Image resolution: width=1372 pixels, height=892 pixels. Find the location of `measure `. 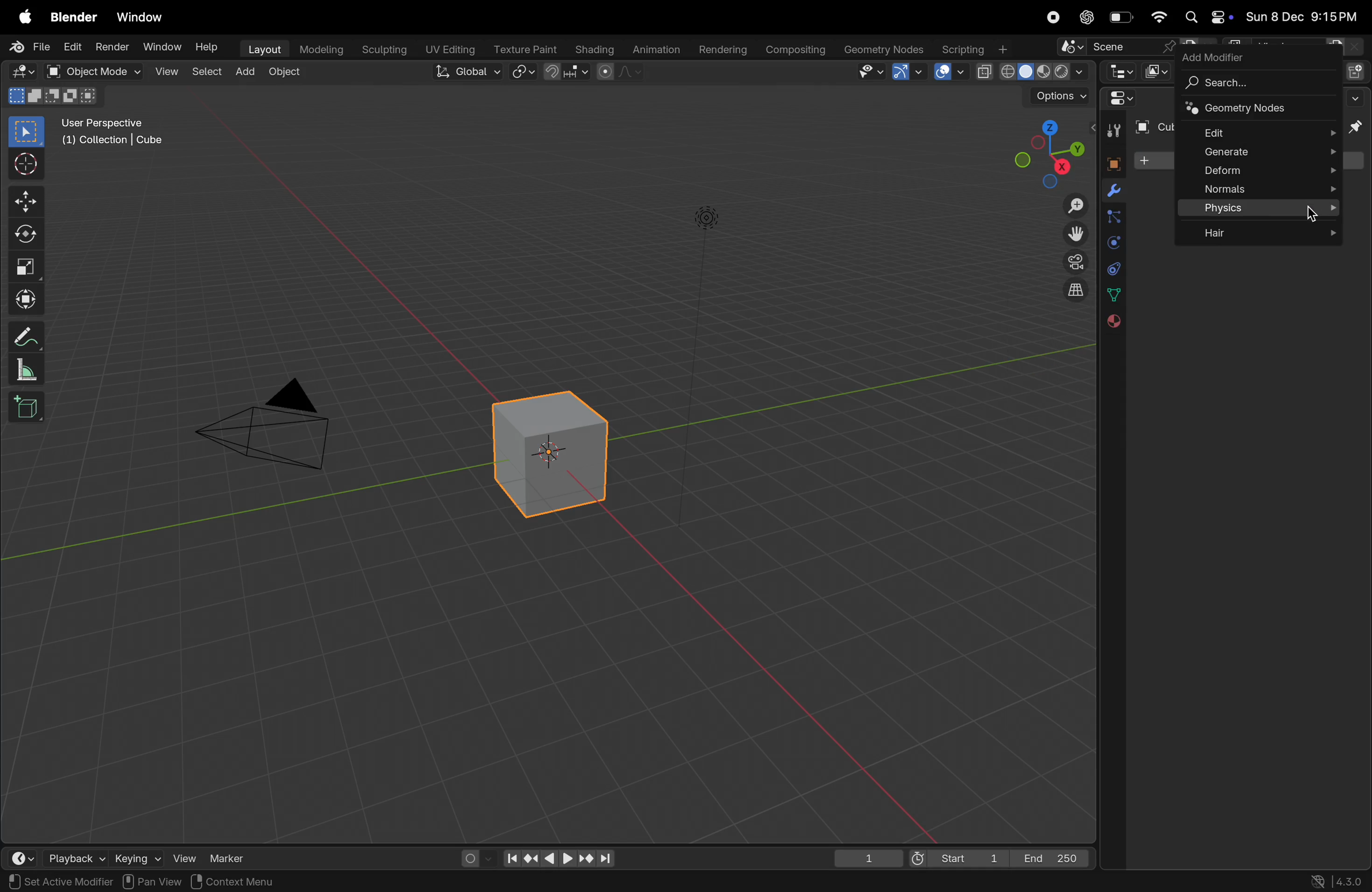

measure  is located at coordinates (26, 372).